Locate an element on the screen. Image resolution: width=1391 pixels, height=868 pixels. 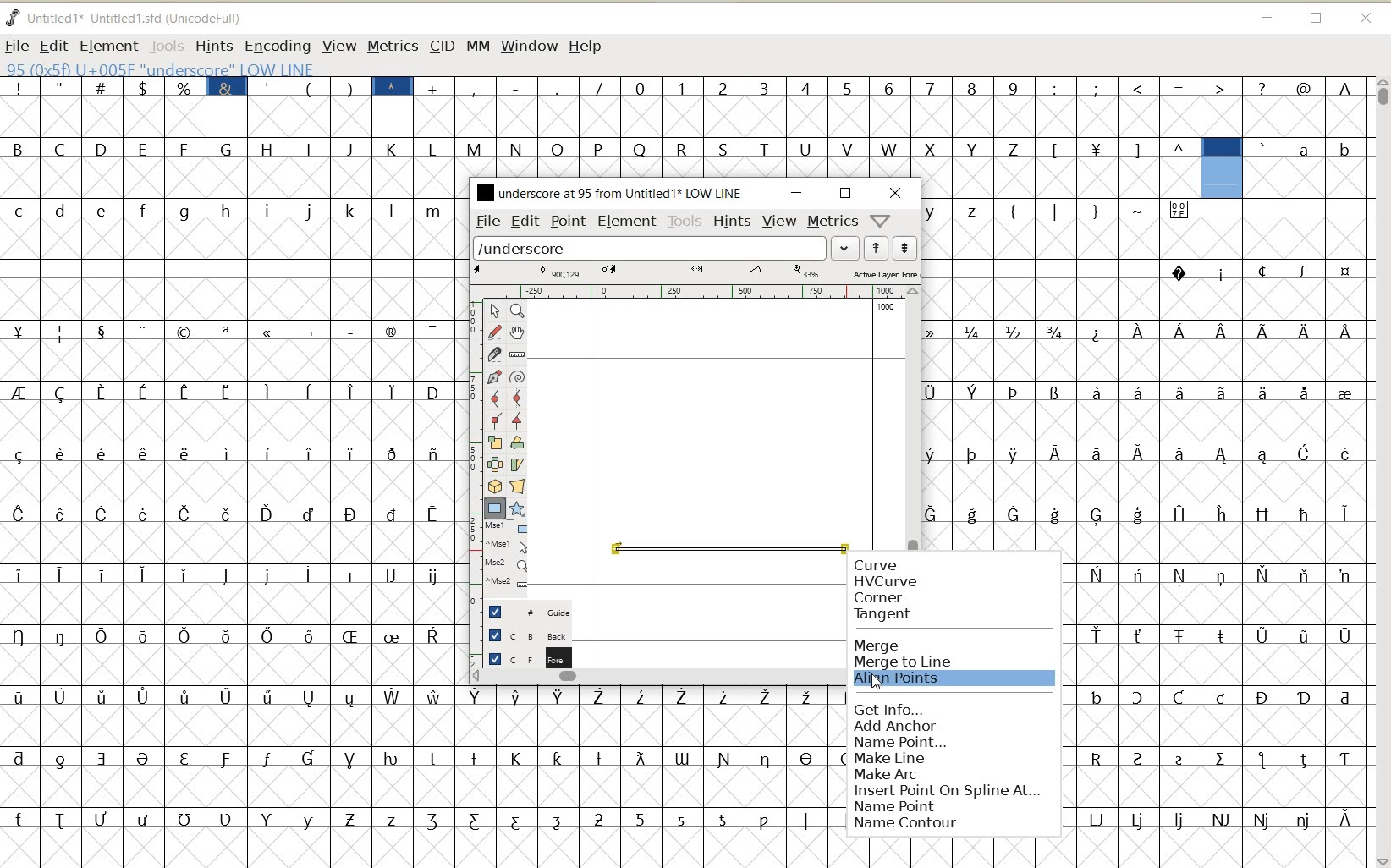
CURSOR is located at coordinates (878, 686).